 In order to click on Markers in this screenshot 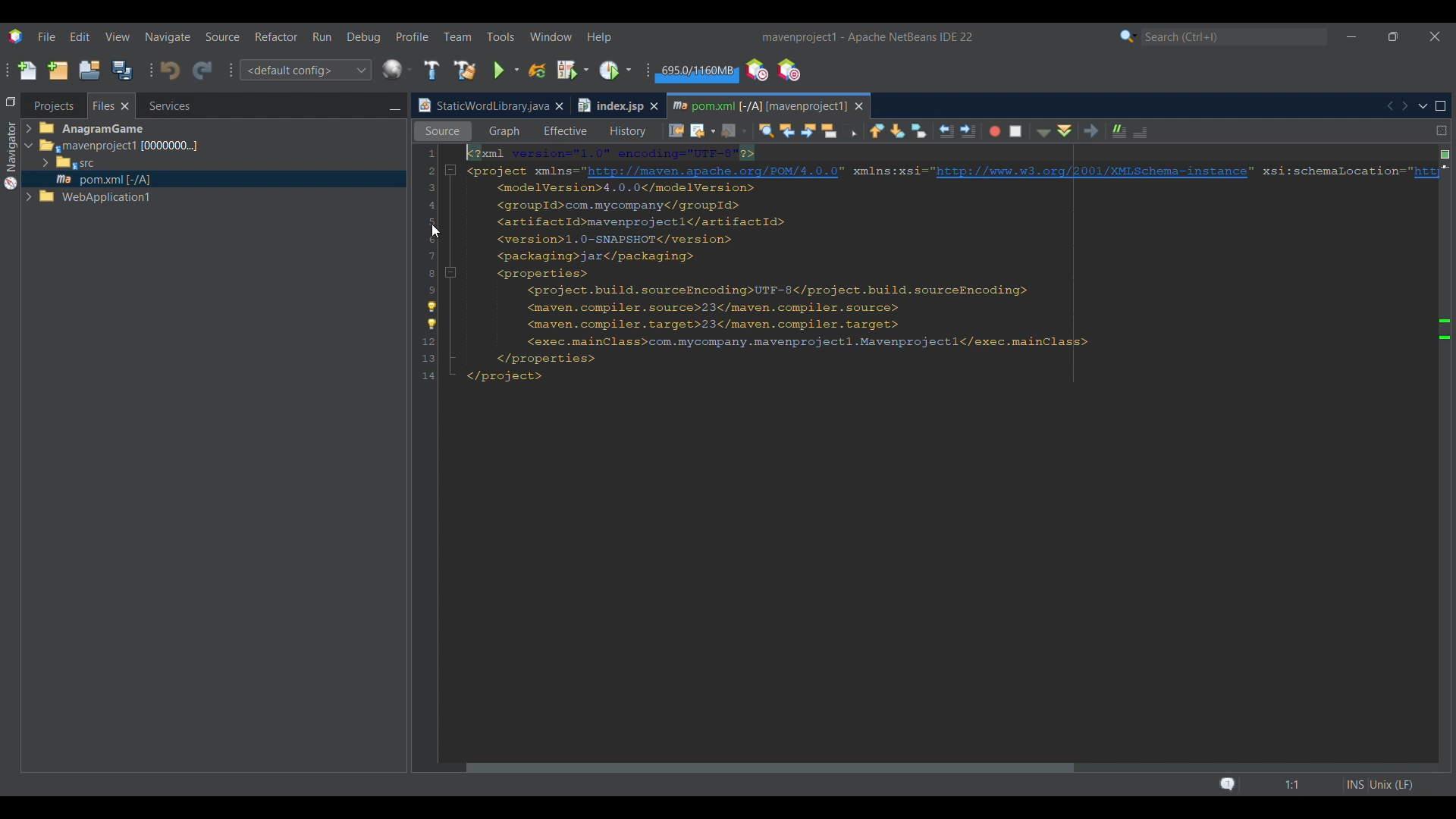, I will do `click(1444, 666)`.